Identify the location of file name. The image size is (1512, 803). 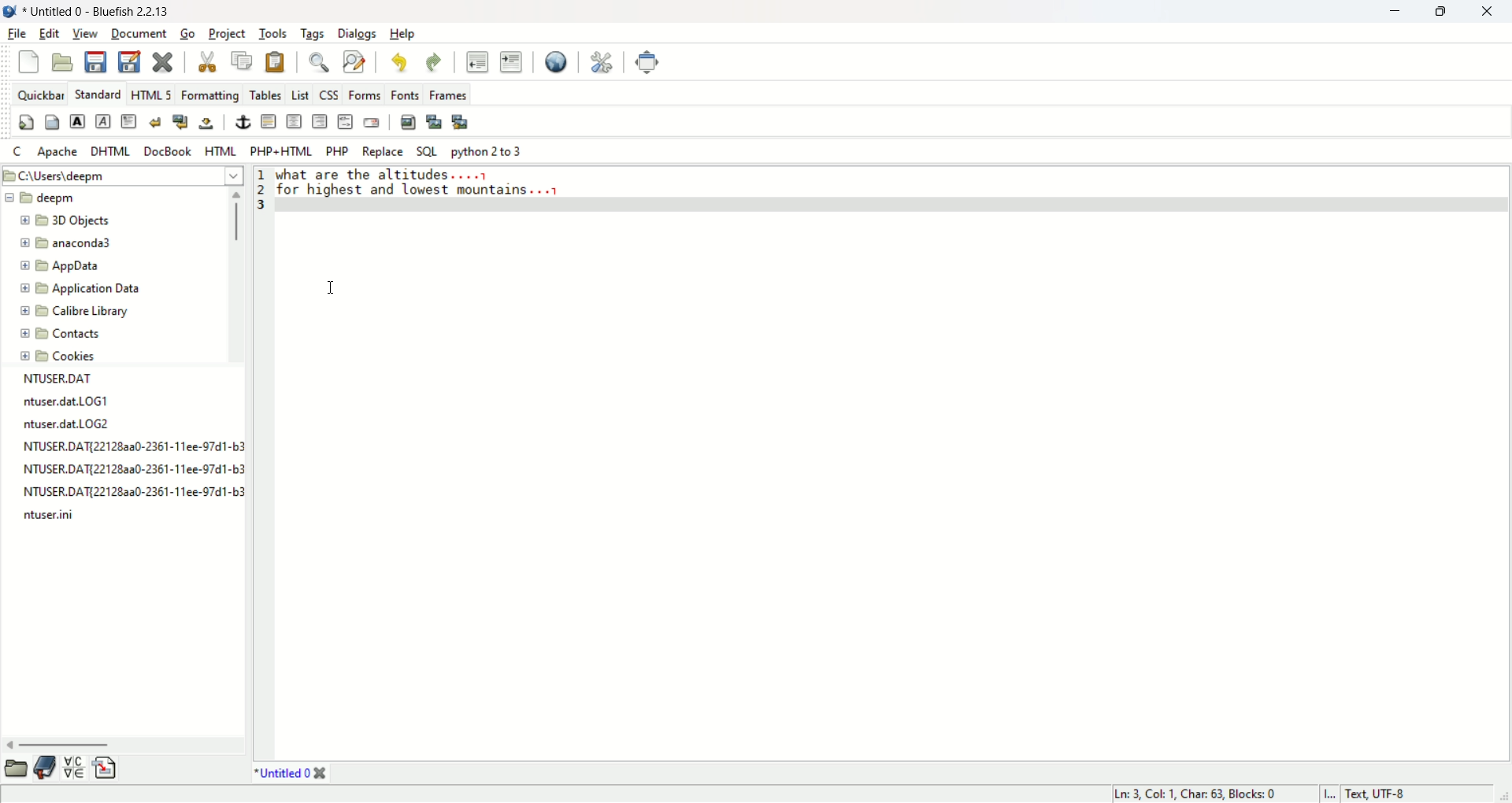
(132, 449).